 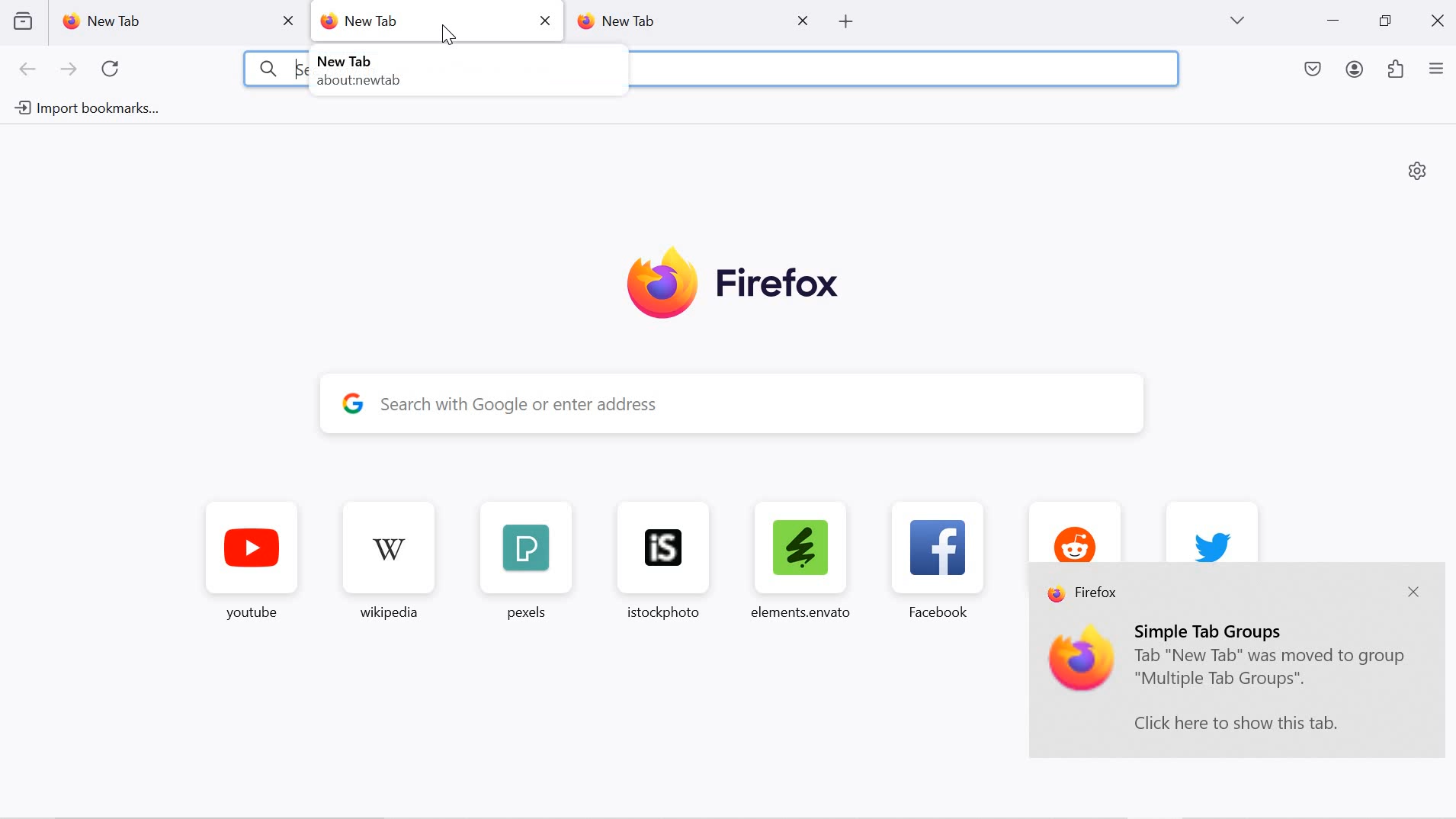 What do you see at coordinates (678, 20) in the screenshot?
I see `new tab` at bounding box center [678, 20].